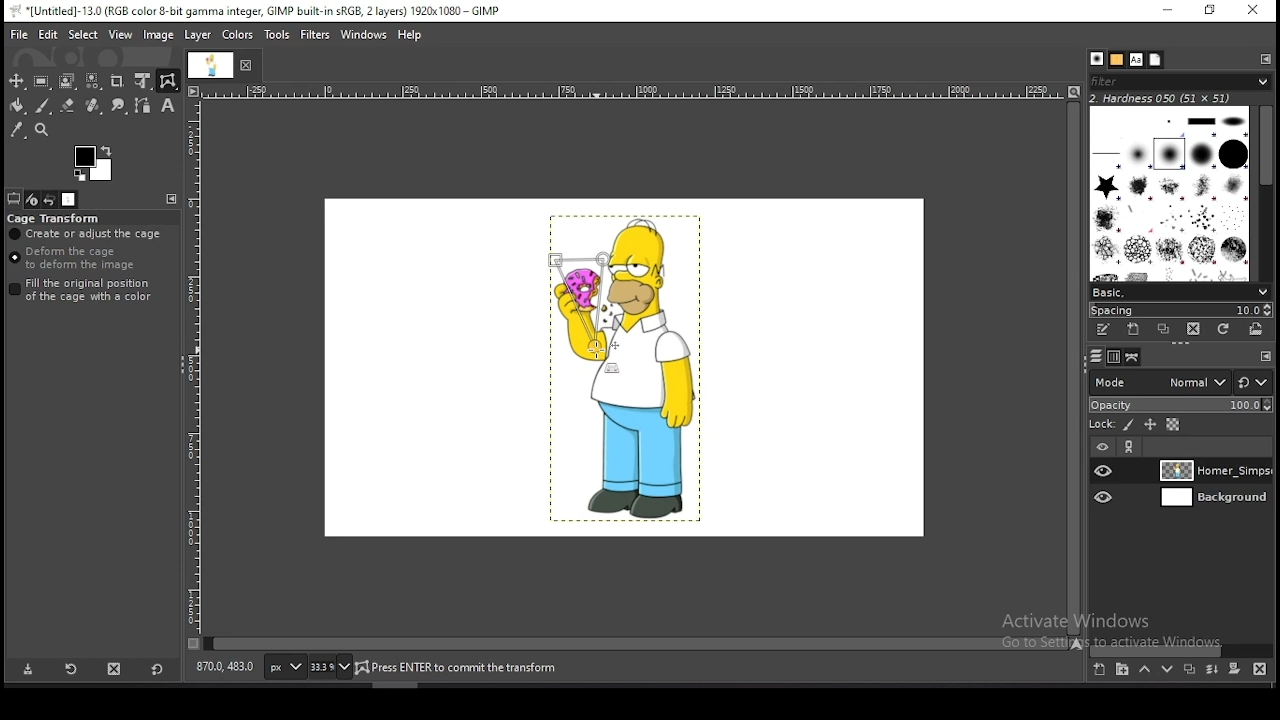 The width and height of the screenshot is (1280, 720). Describe the element at coordinates (1127, 426) in the screenshot. I see `lock pixels` at that location.